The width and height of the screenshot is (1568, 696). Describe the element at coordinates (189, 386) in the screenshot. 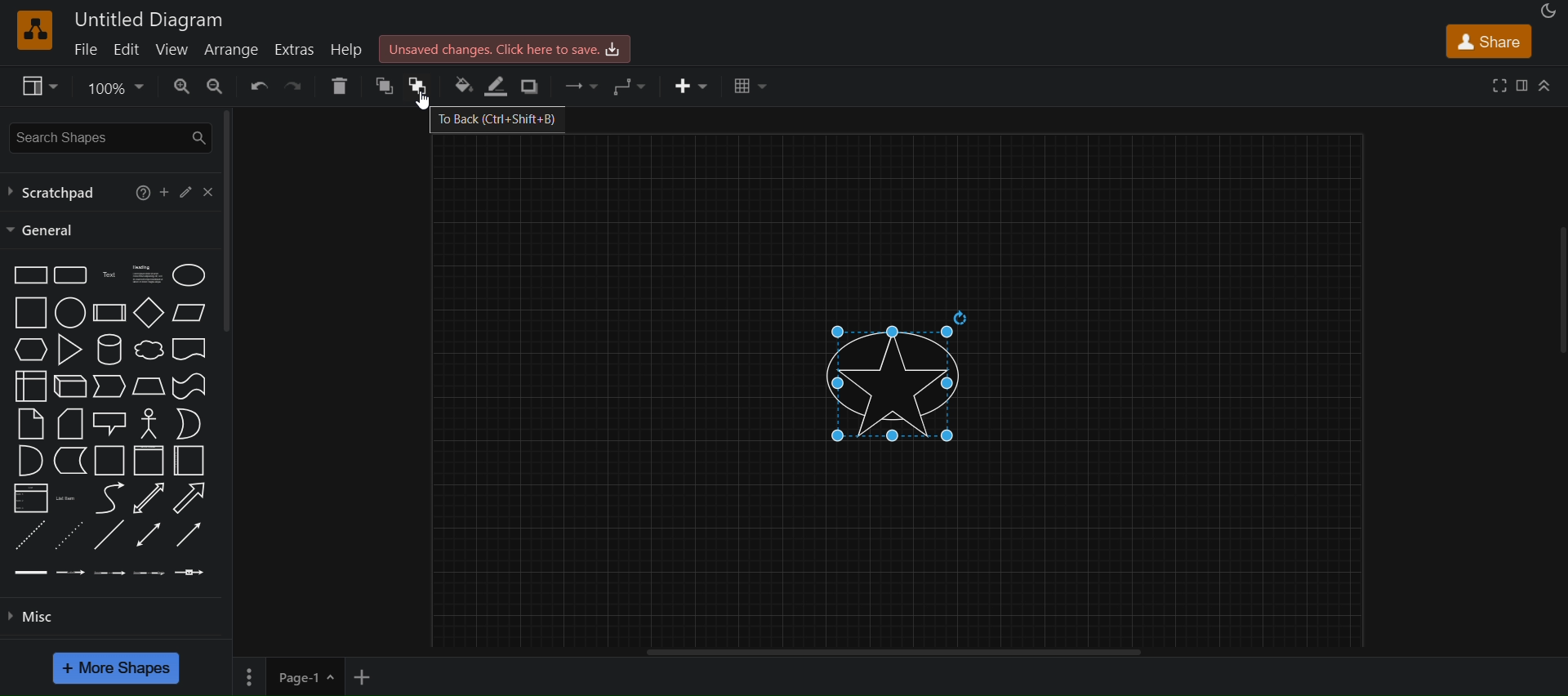

I see `tape` at that location.